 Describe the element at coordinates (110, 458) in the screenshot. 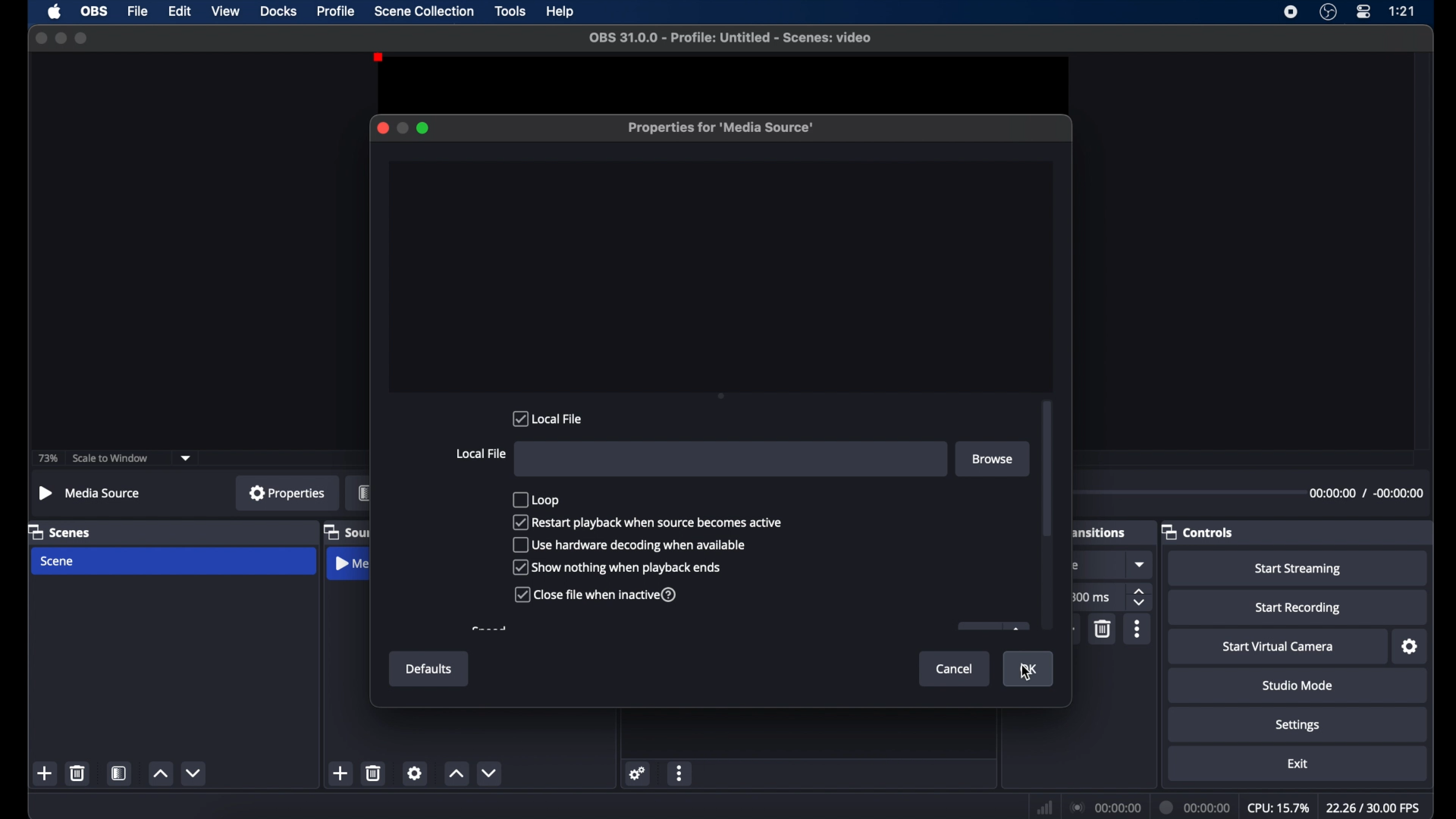

I see `scale to window` at that location.